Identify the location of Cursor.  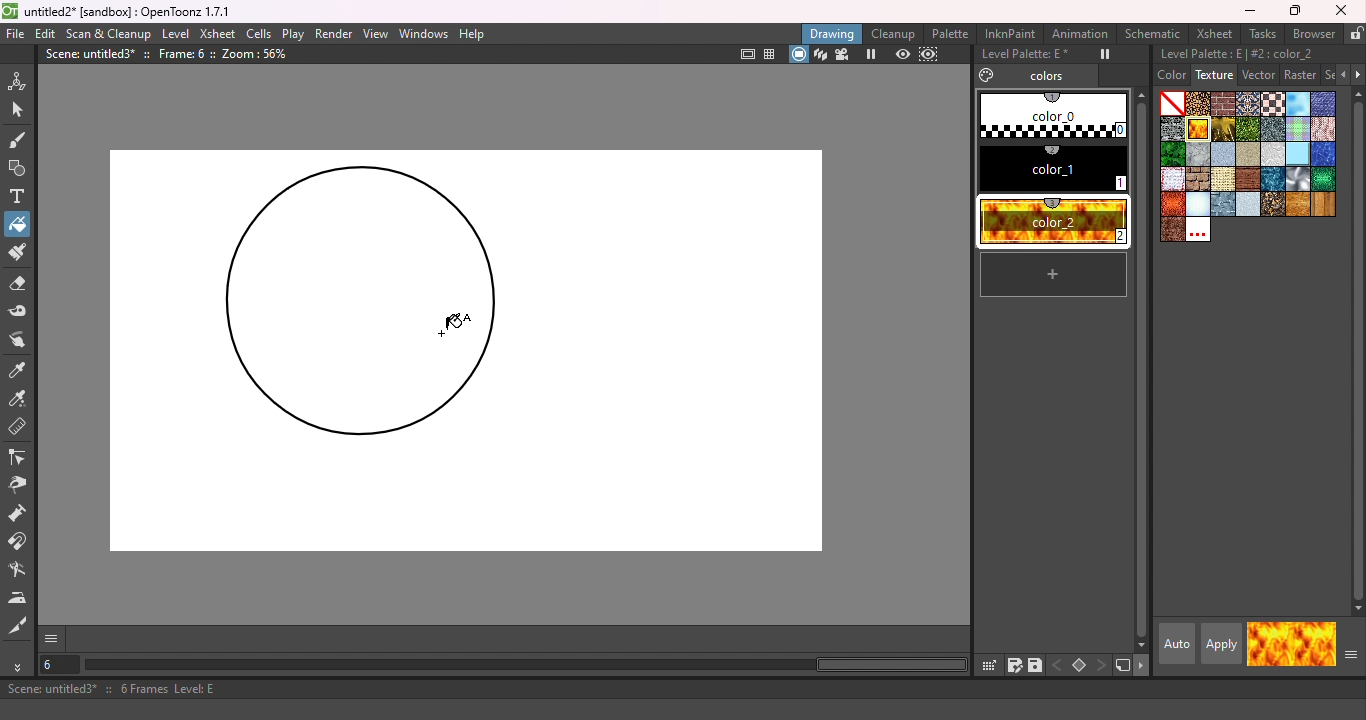
(37, 225).